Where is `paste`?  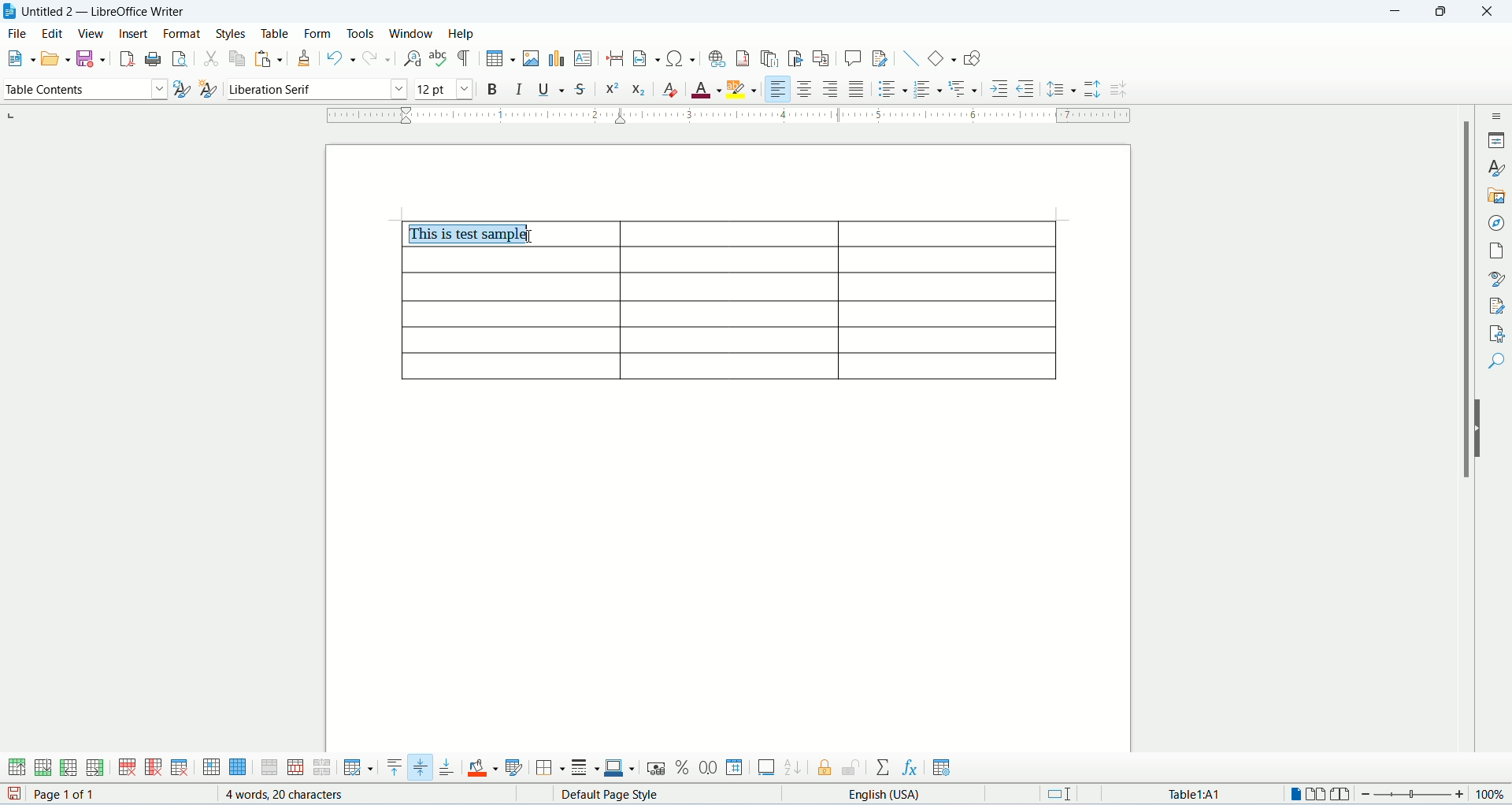
paste is located at coordinates (265, 60).